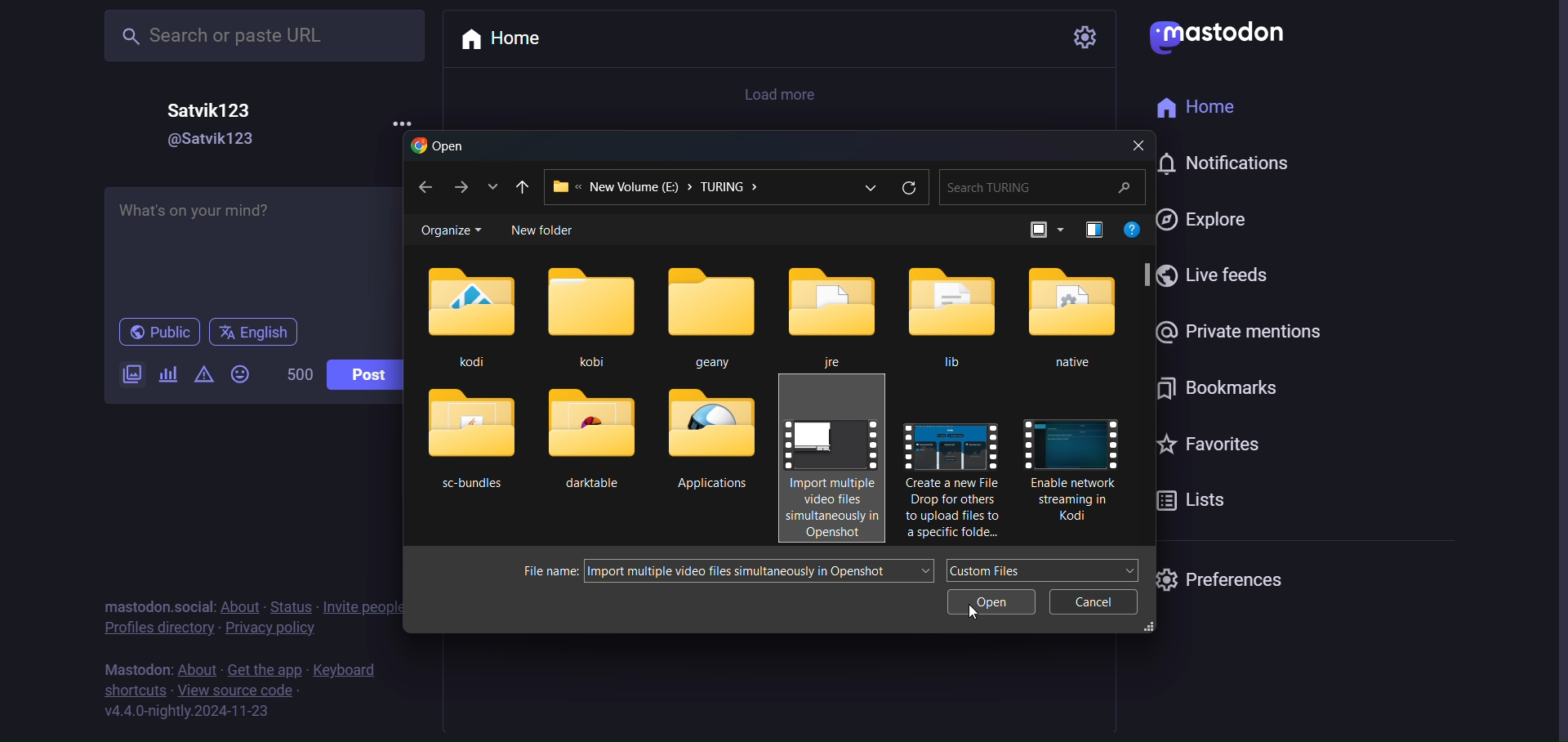 This screenshot has width=1568, height=742. What do you see at coordinates (158, 333) in the screenshot?
I see `public` at bounding box center [158, 333].